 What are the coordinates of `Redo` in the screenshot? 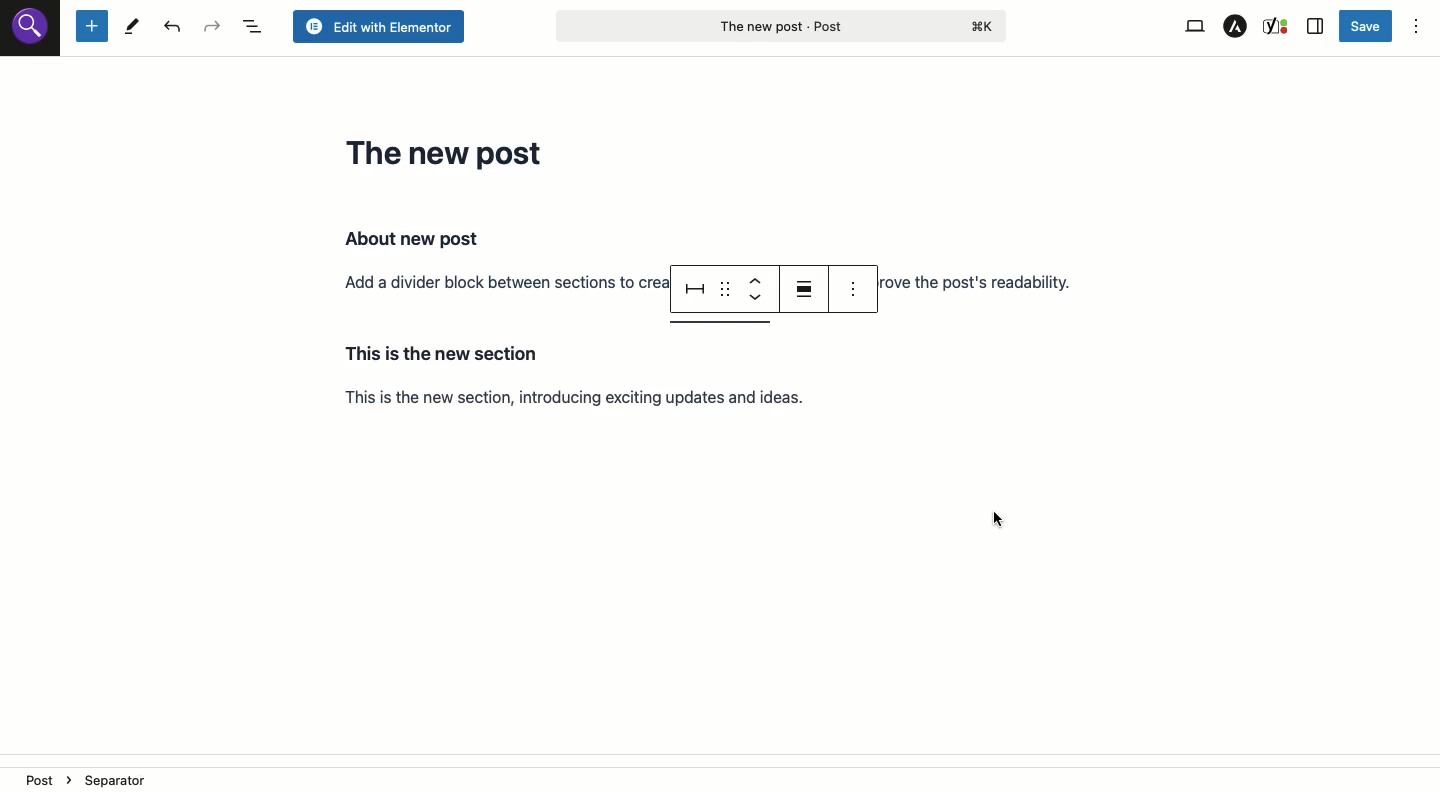 It's located at (213, 27).